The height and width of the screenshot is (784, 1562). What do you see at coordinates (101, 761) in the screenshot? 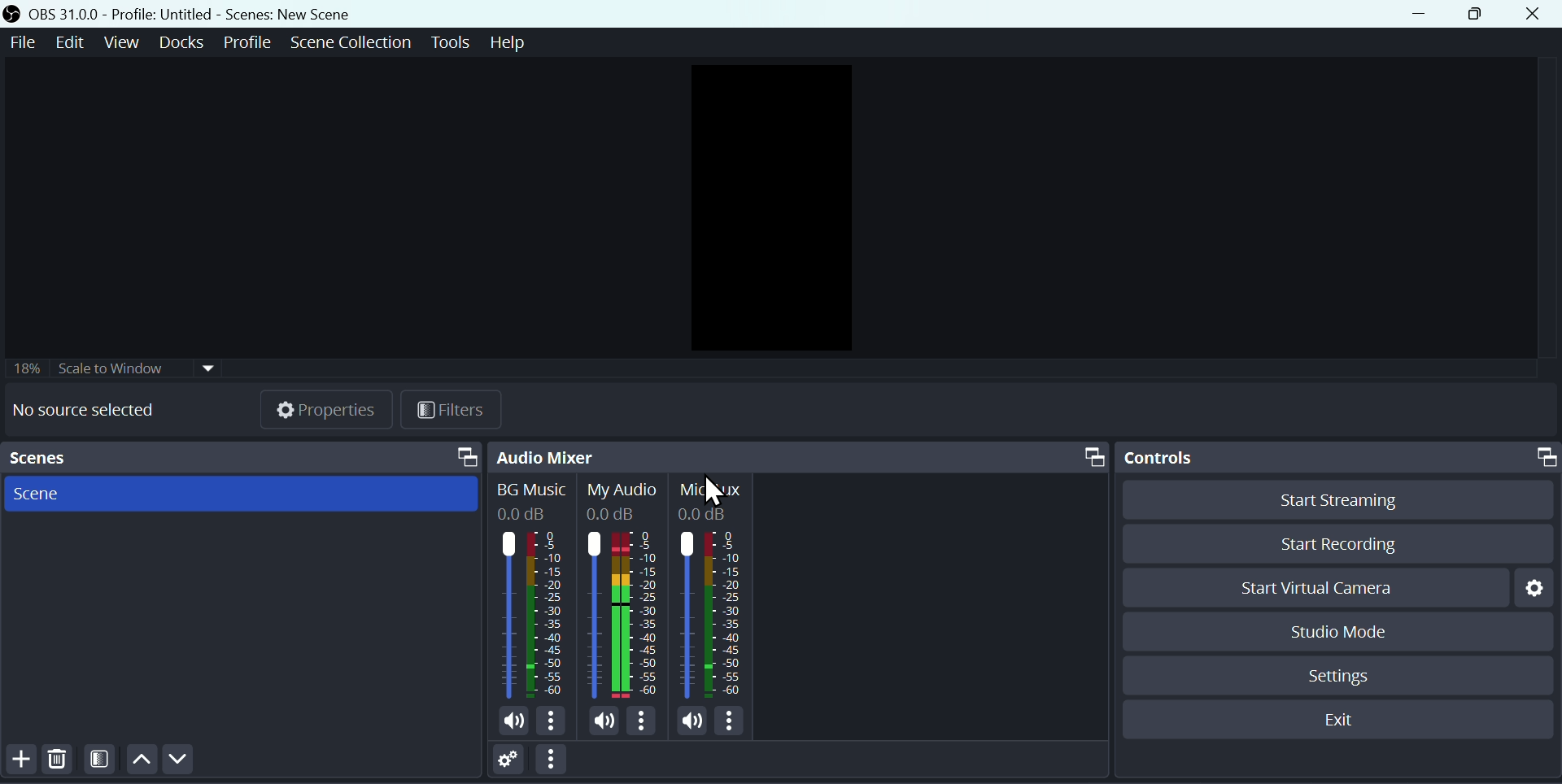
I see `Filter` at bounding box center [101, 761].